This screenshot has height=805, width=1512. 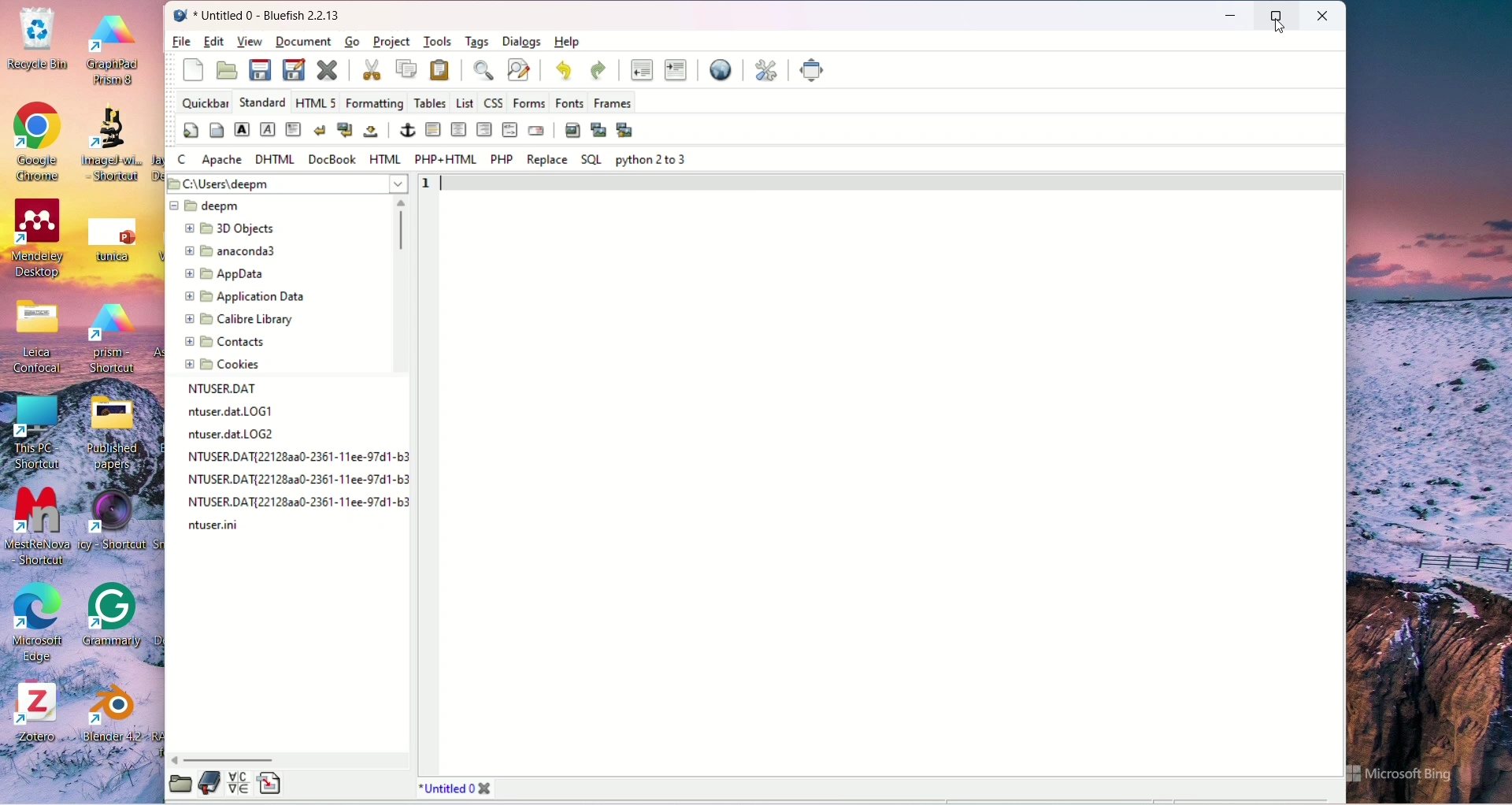 I want to click on tags, so click(x=478, y=43).